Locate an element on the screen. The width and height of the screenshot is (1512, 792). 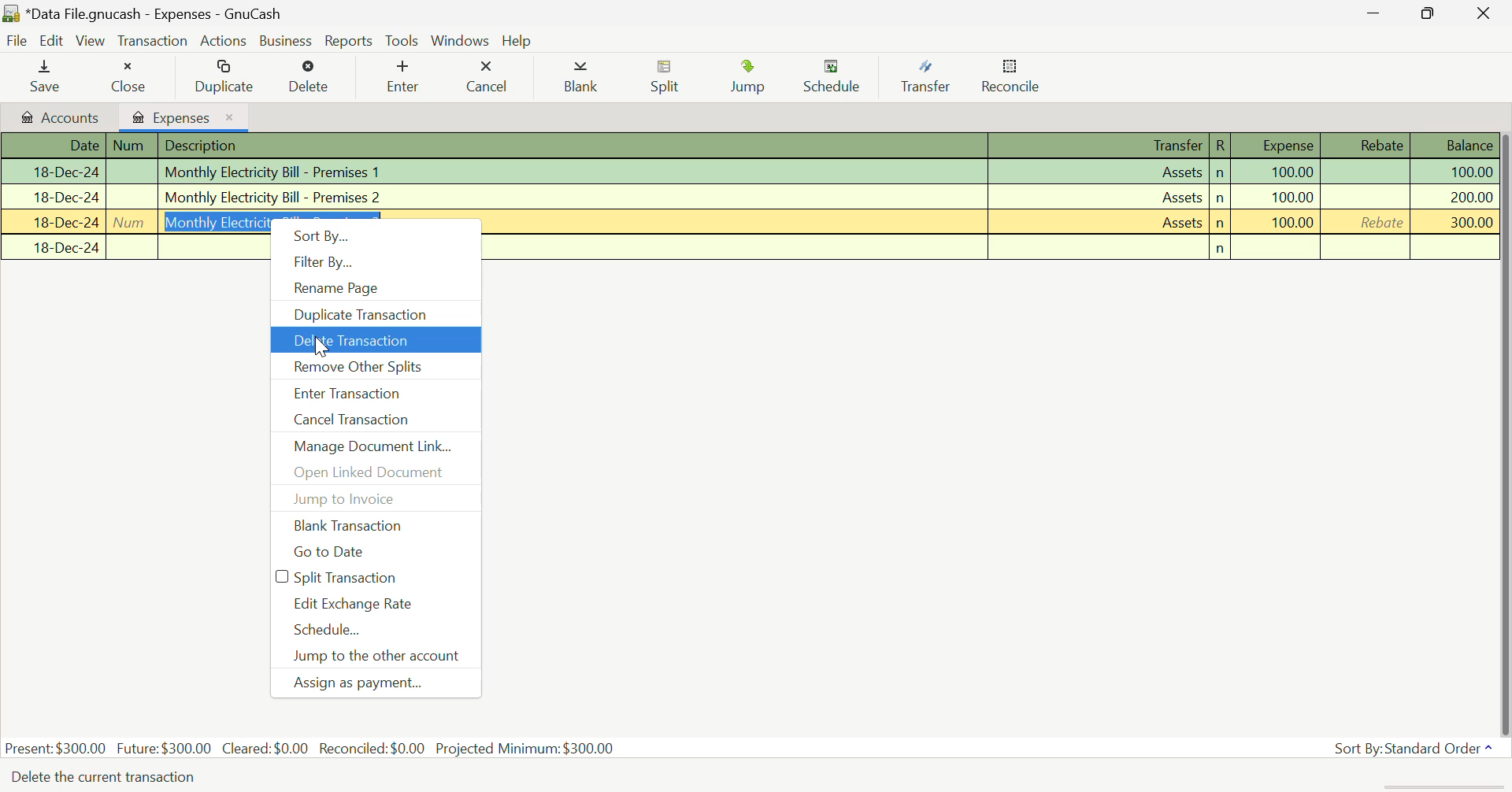
Enter Transaction is located at coordinates (375, 394).